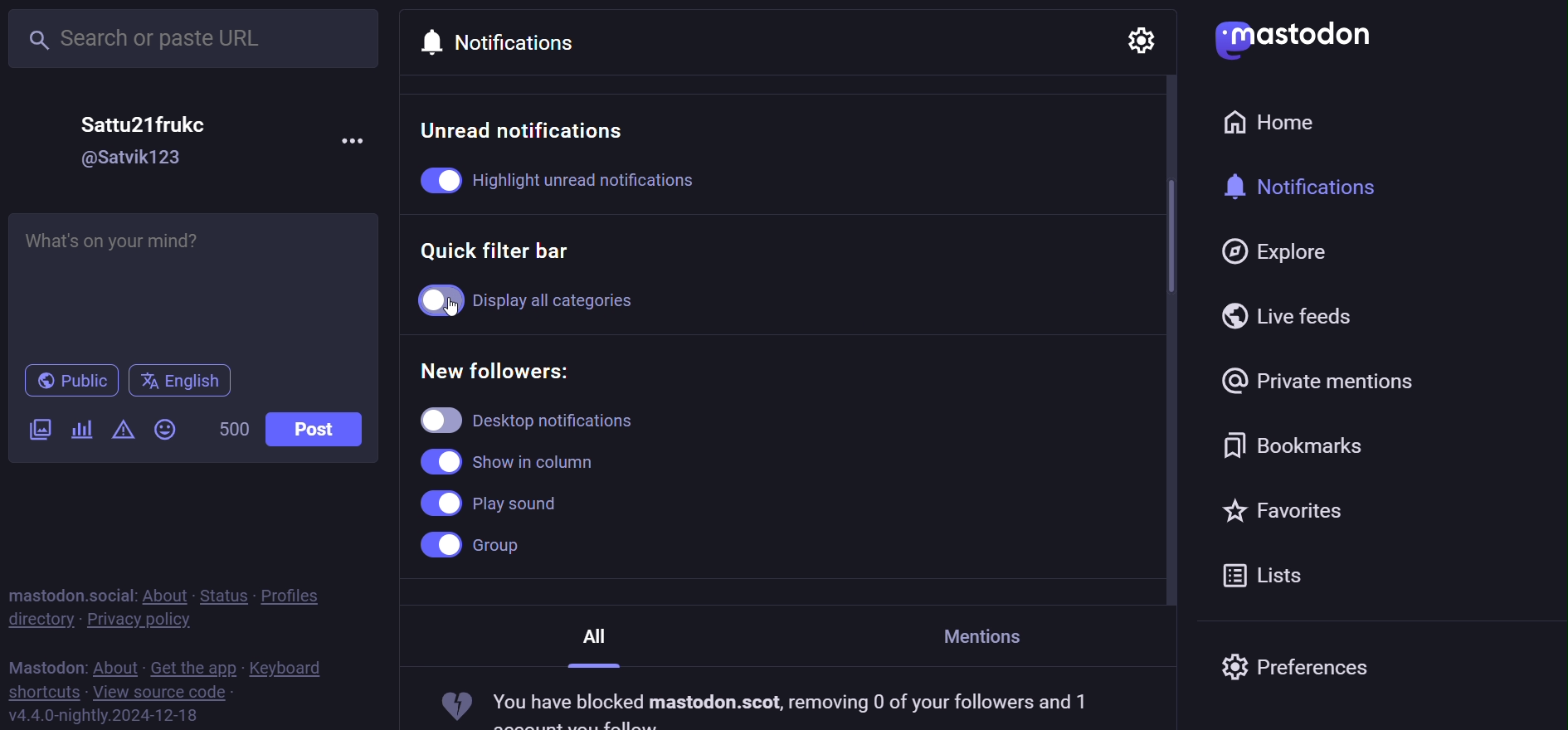 This screenshot has width=1568, height=730. Describe the element at coordinates (148, 619) in the screenshot. I see `privacy policy` at that location.